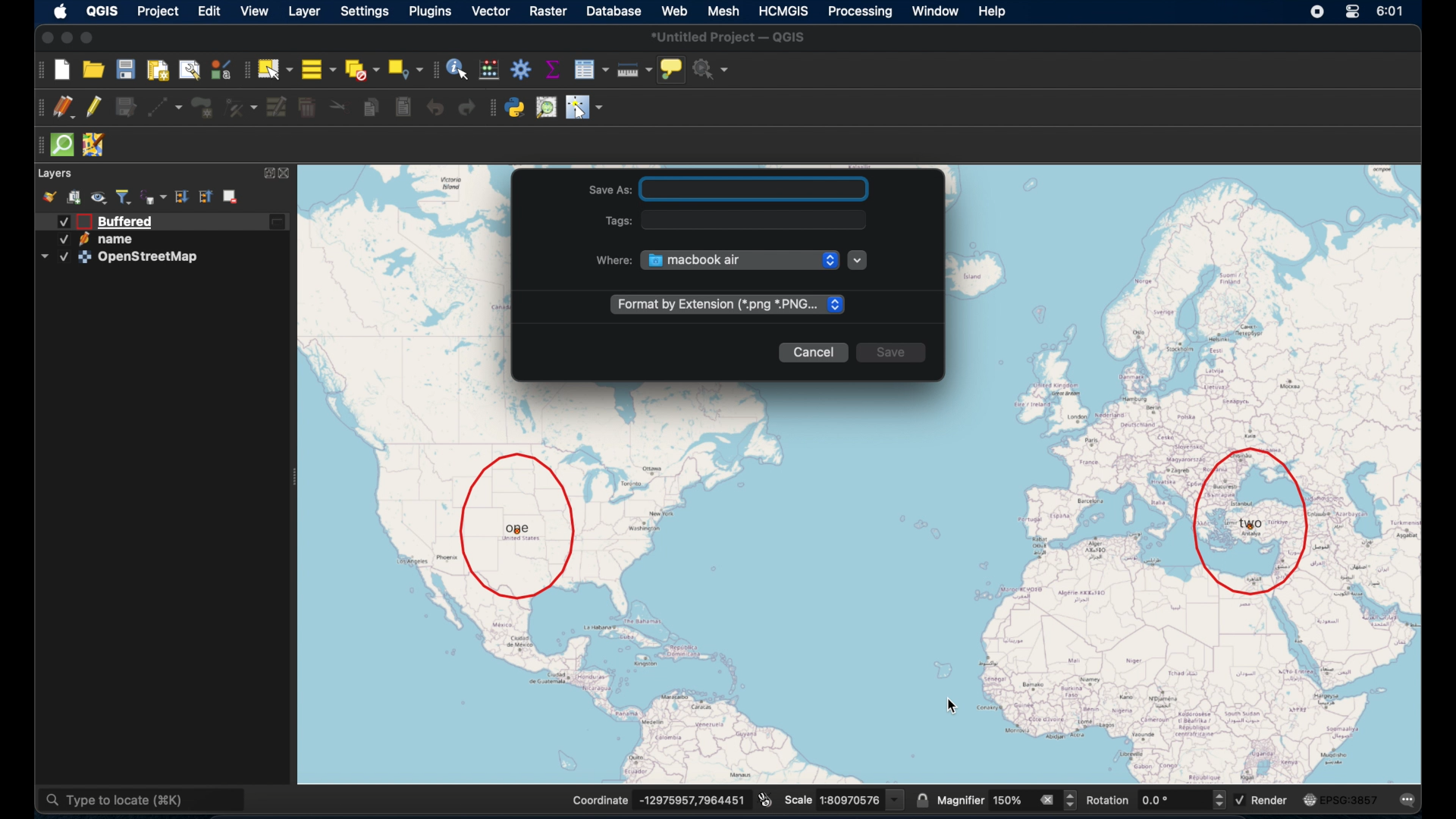 The height and width of the screenshot is (819, 1456). What do you see at coordinates (335, 105) in the screenshot?
I see `cut features` at bounding box center [335, 105].